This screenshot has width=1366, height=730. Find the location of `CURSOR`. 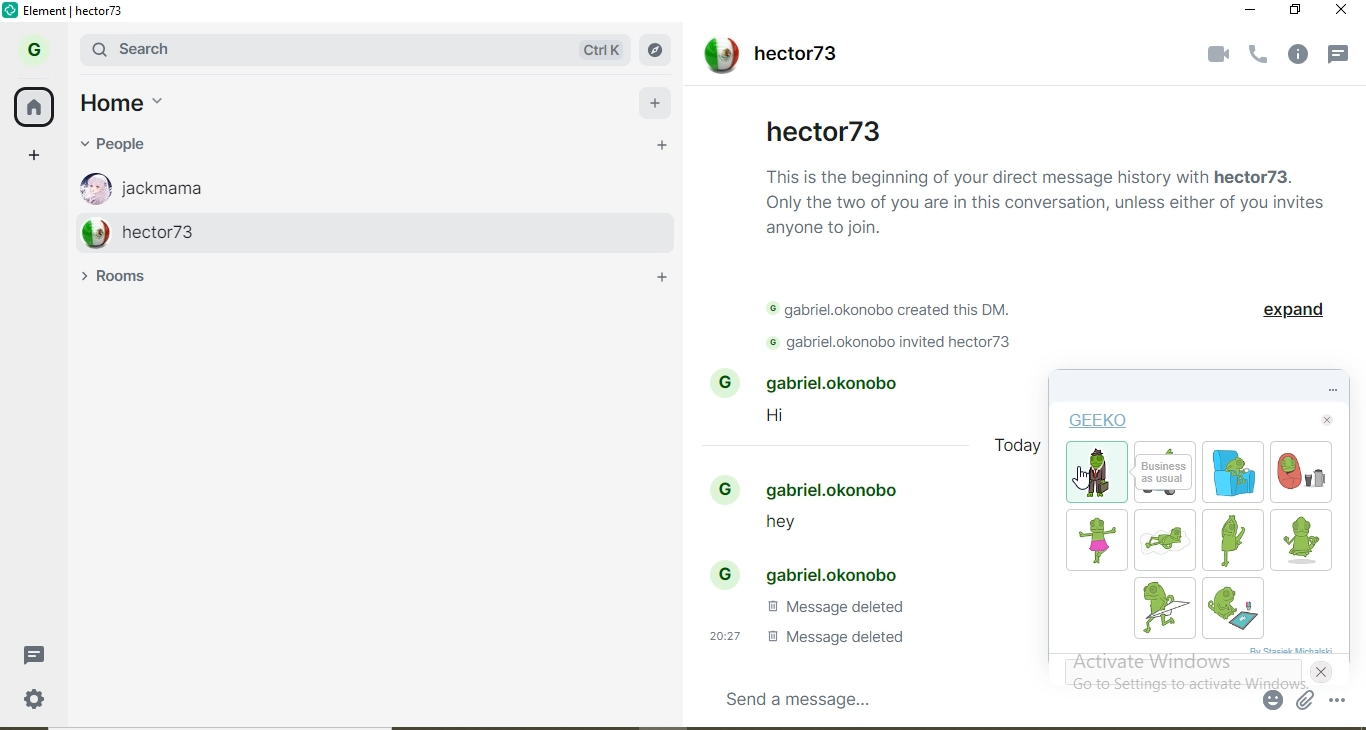

CURSOR is located at coordinates (1083, 478).